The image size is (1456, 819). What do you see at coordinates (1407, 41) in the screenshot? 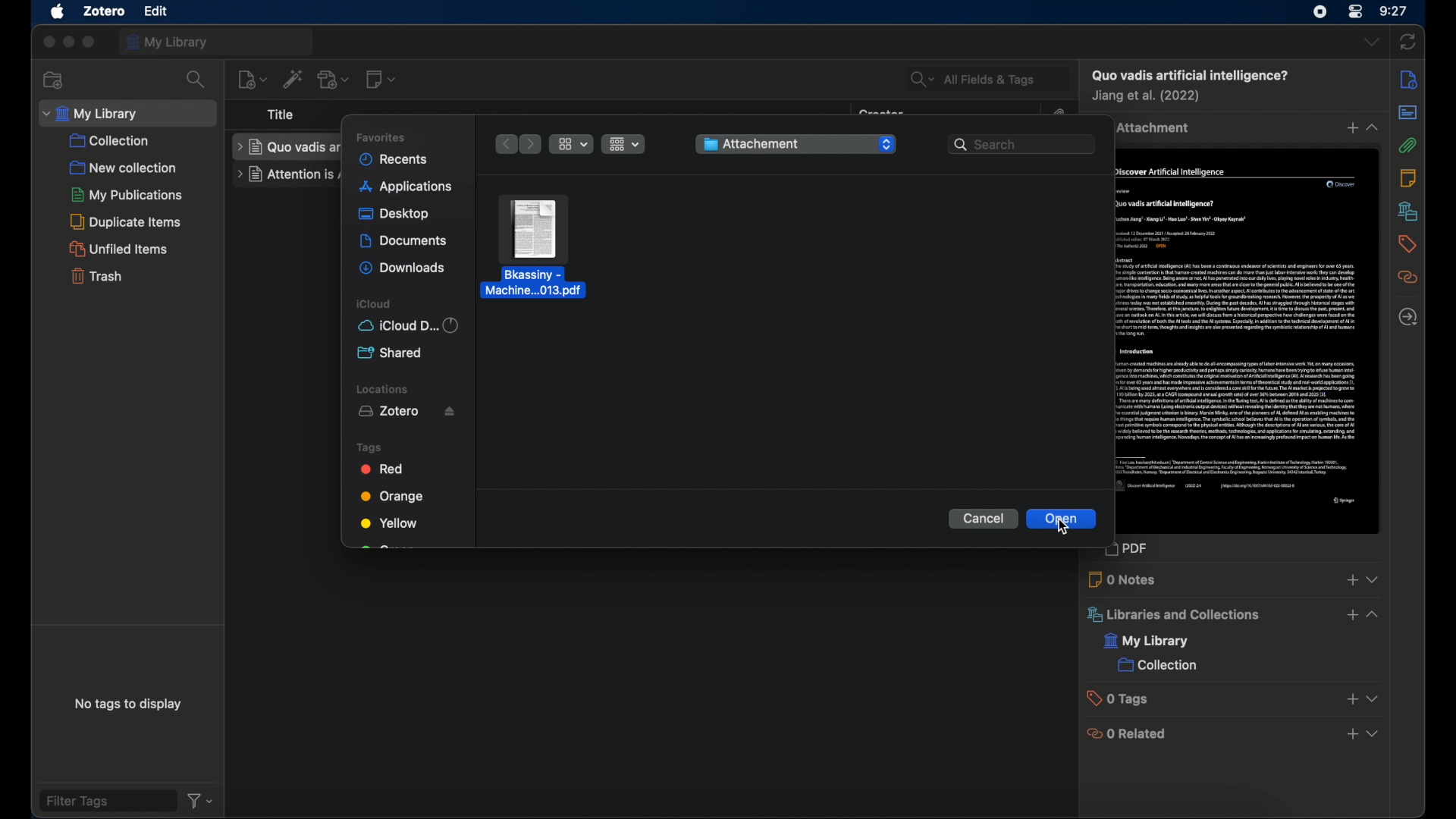
I see `sync` at bounding box center [1407, 41].